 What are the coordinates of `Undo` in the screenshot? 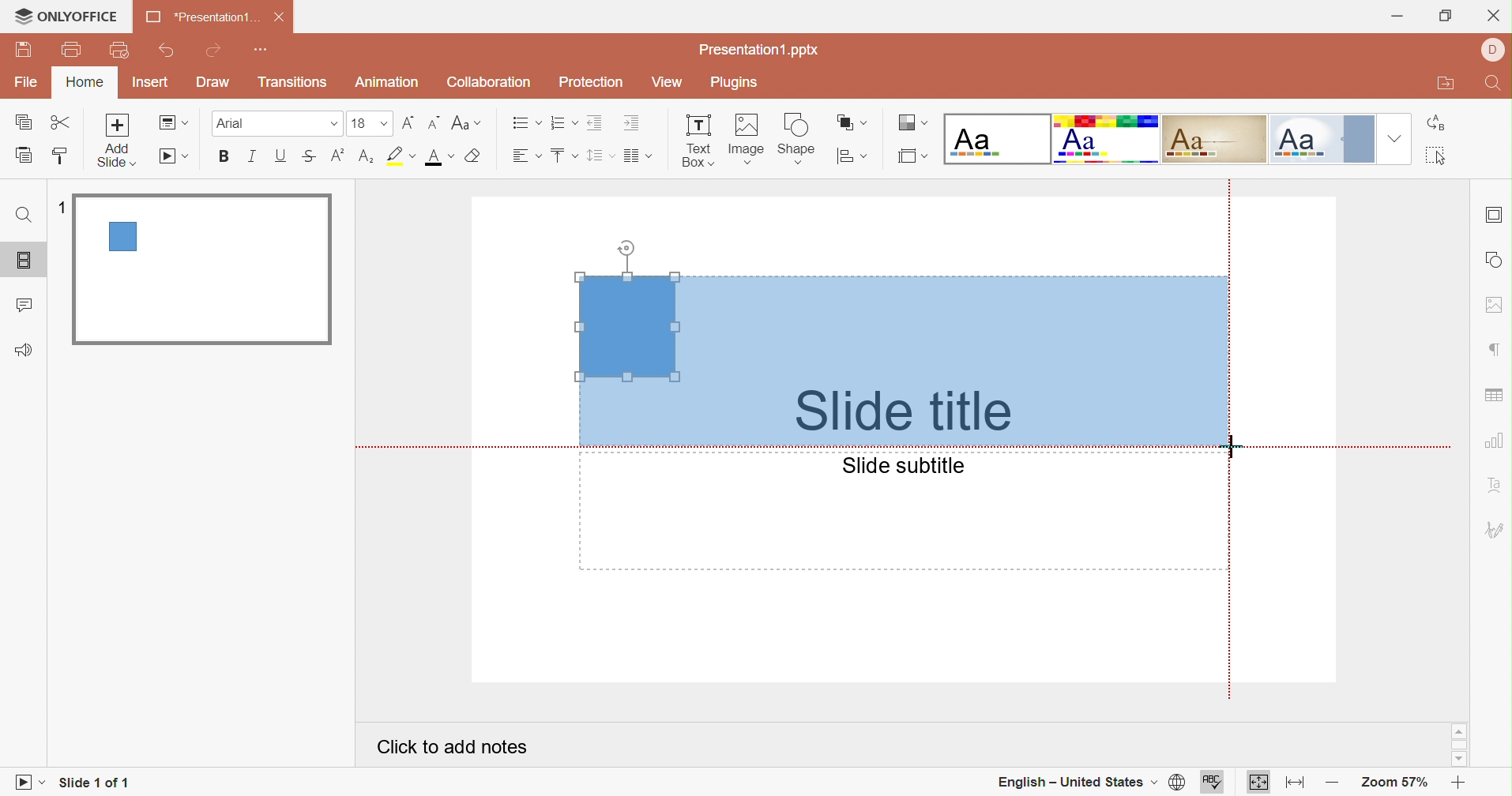 It's located at (168, 51).